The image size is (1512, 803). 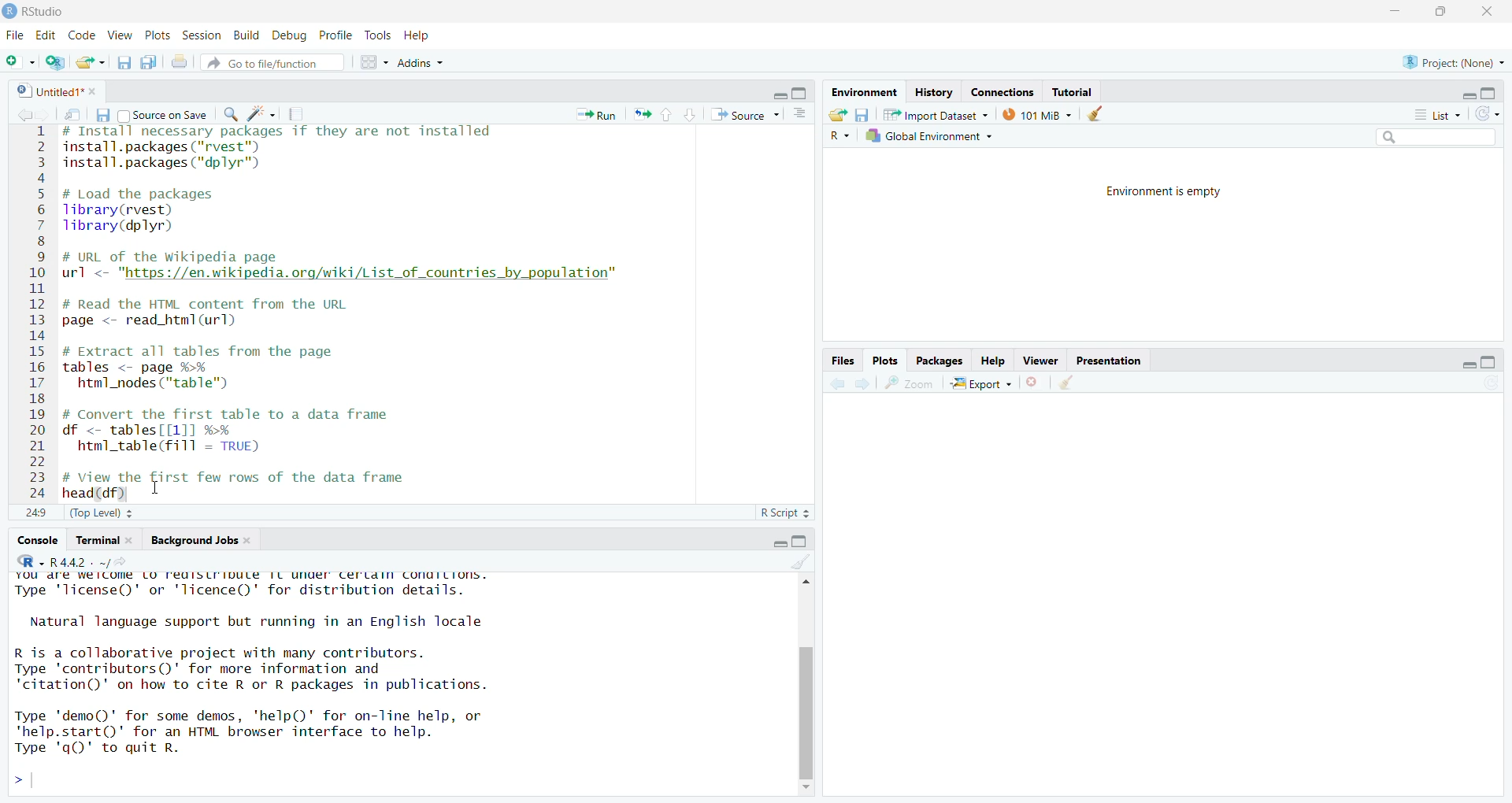 What do you see at coordinates (1395, 12) in the screenshot?
I see `minimize` at bounding box center [1395, 12].